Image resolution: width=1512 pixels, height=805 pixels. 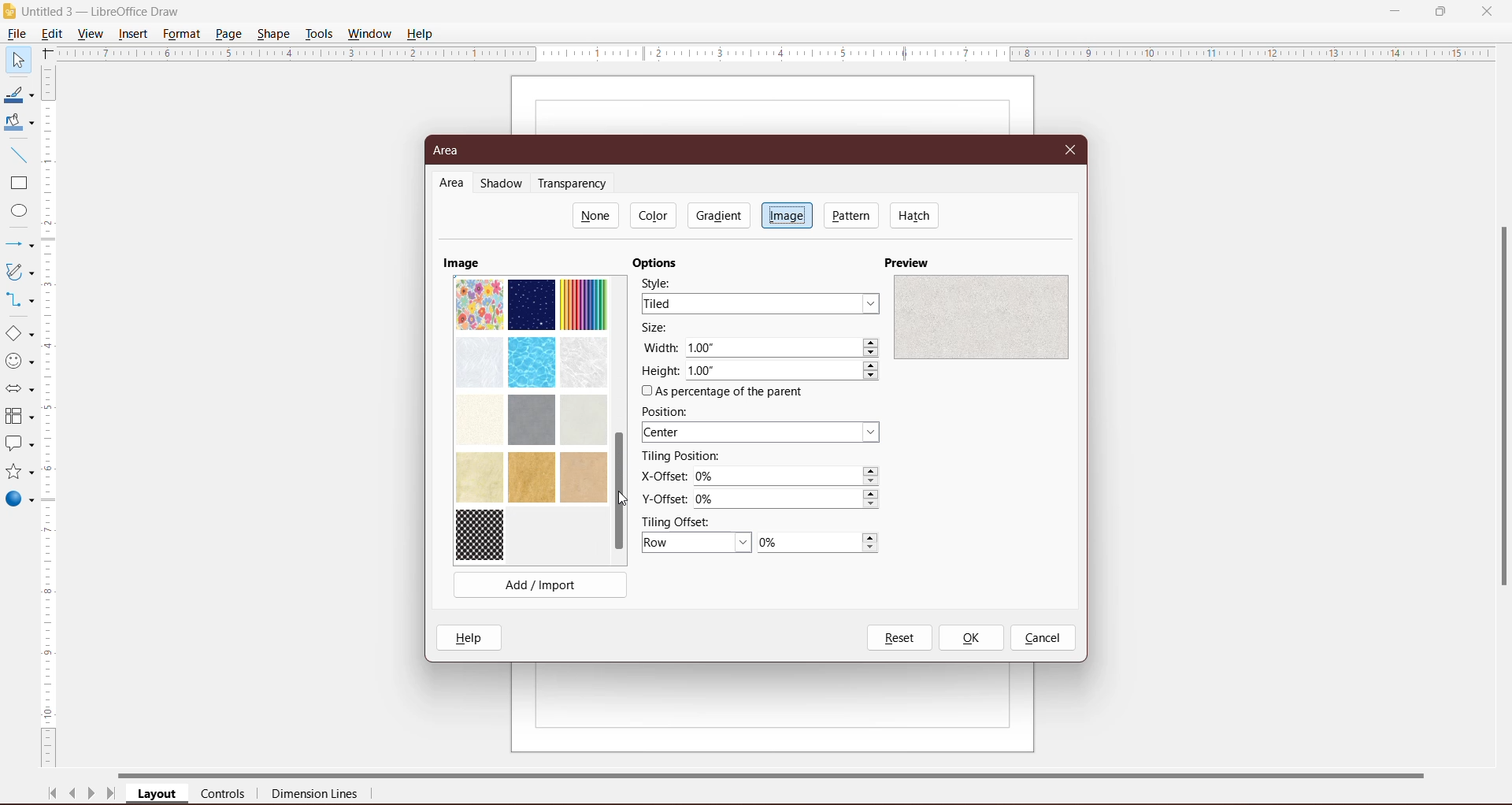 I want to click on Layout, so click(x=158, y=795).